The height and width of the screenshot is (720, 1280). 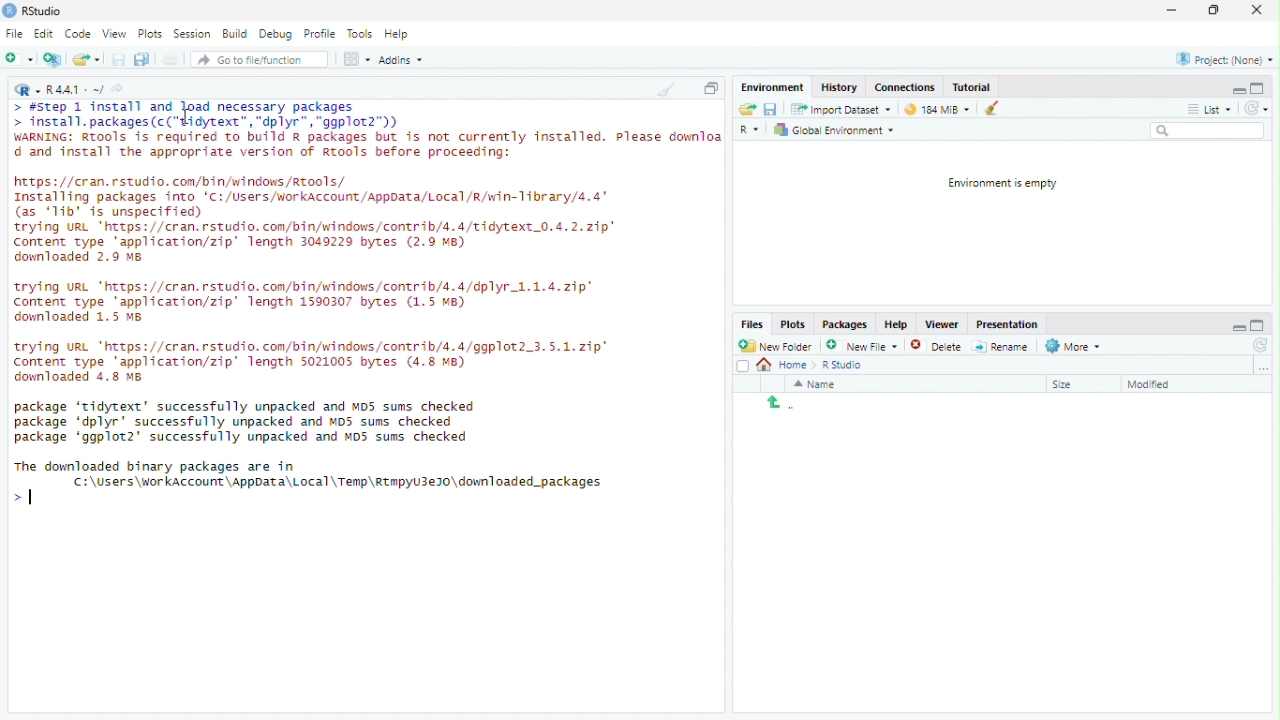 What do you see at coordinates (251, 422) in the screenshot?
I see `package ‘tidytext’ successfully unpacked and D5 sums checked
package ‘dplyr’ successfully unpacked and MDS sums checked
package ‘ggplot2’ successfully unpacked and MDS sums checked` at bounding box center [251, 422].